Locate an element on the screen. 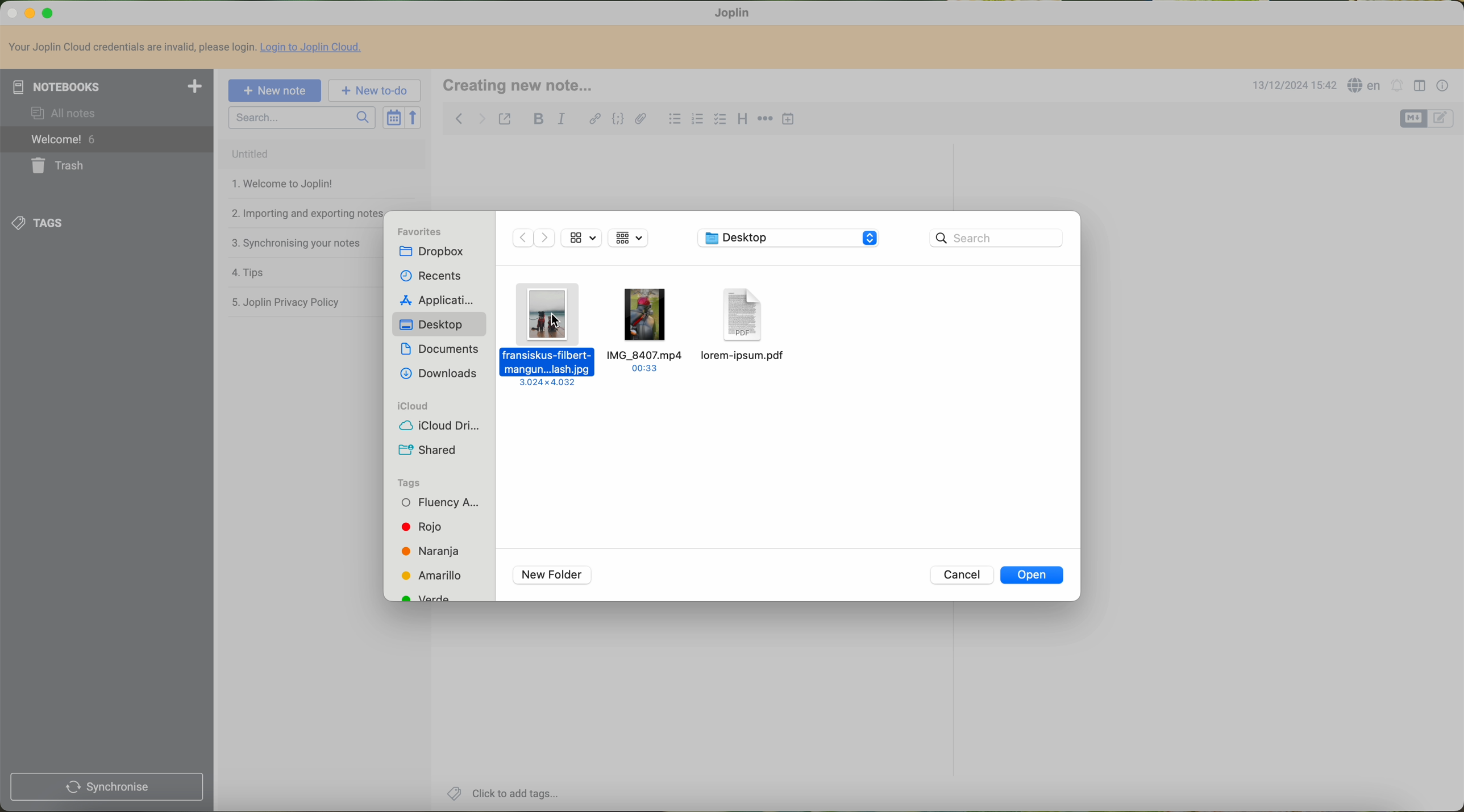  creating new note is located at coordinates (525, 86).